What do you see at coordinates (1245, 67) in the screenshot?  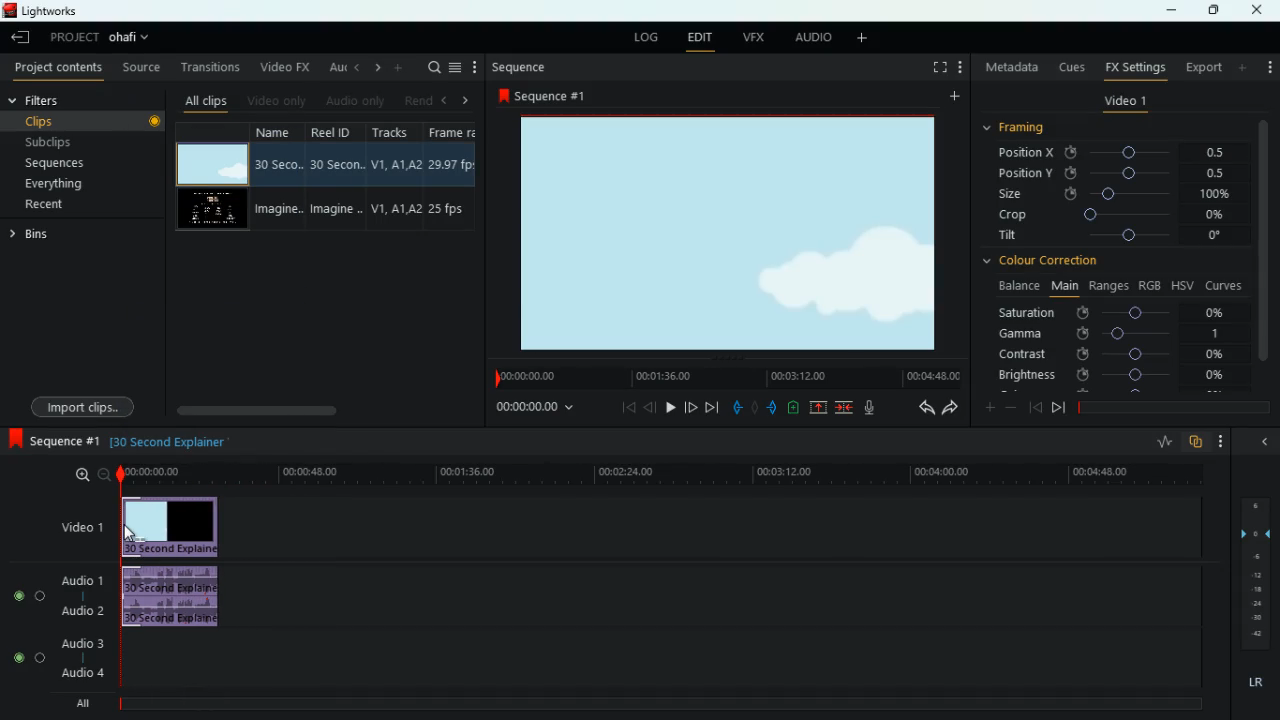 I see `add` at bounding box center [1245, 67].